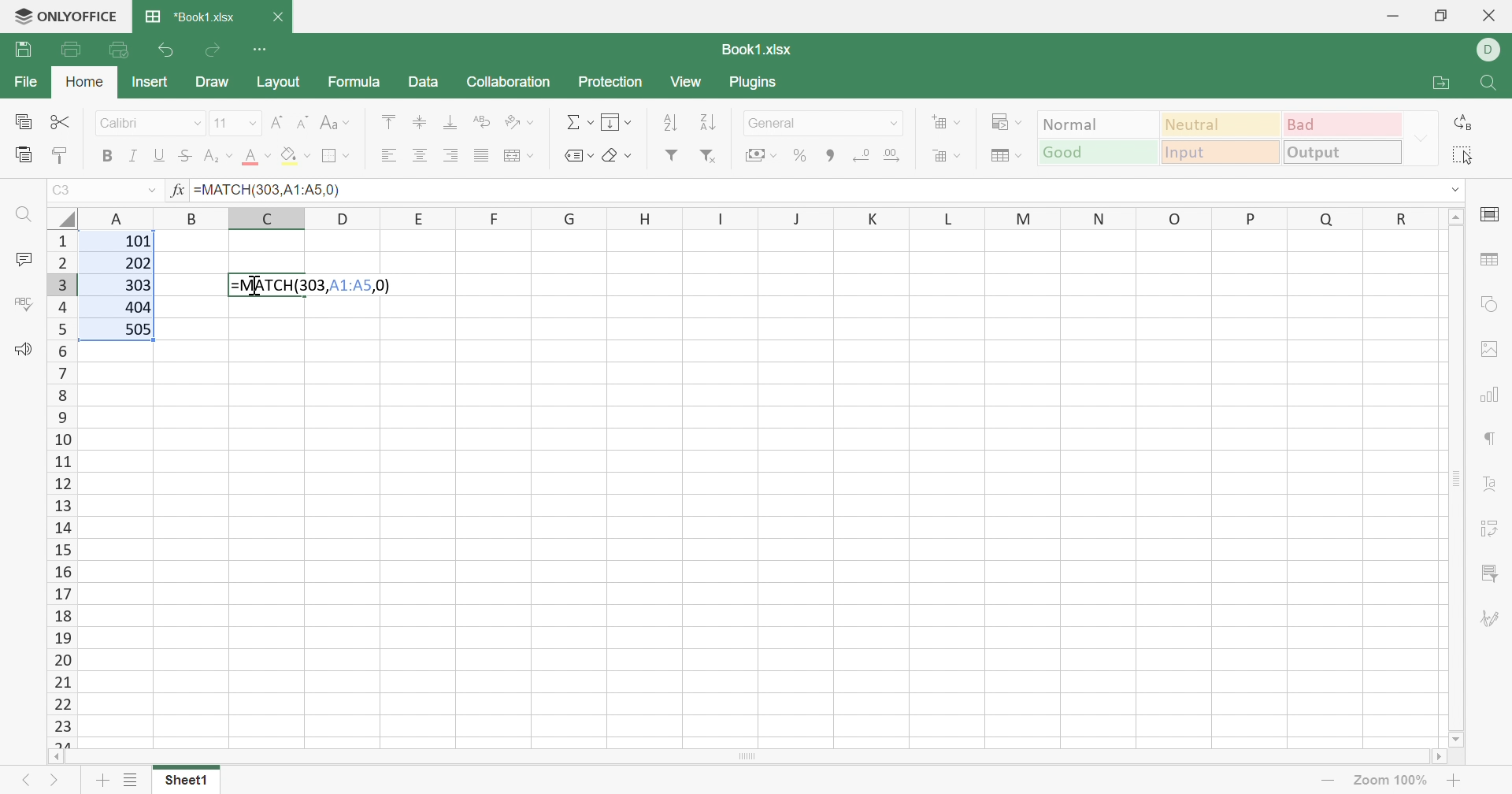 The height and width of the screenshot is (794, 1512). What do you see at coordinates (25, 83) in the screenshot?
I see `File` at bounding box center [25, 83].